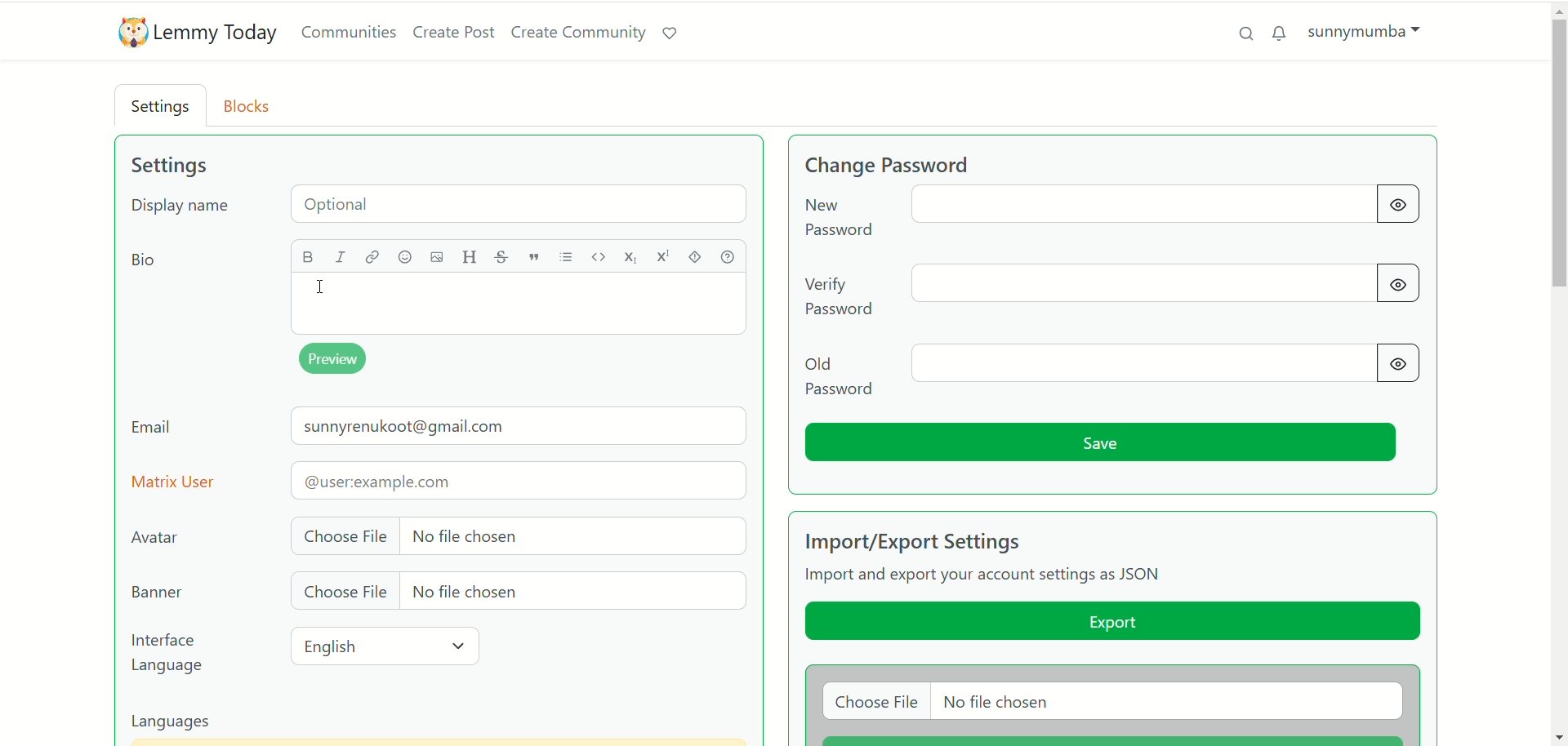  Describe the element at coordinates (499, 257) in the screenshot. I see `strikethrough` at that location.